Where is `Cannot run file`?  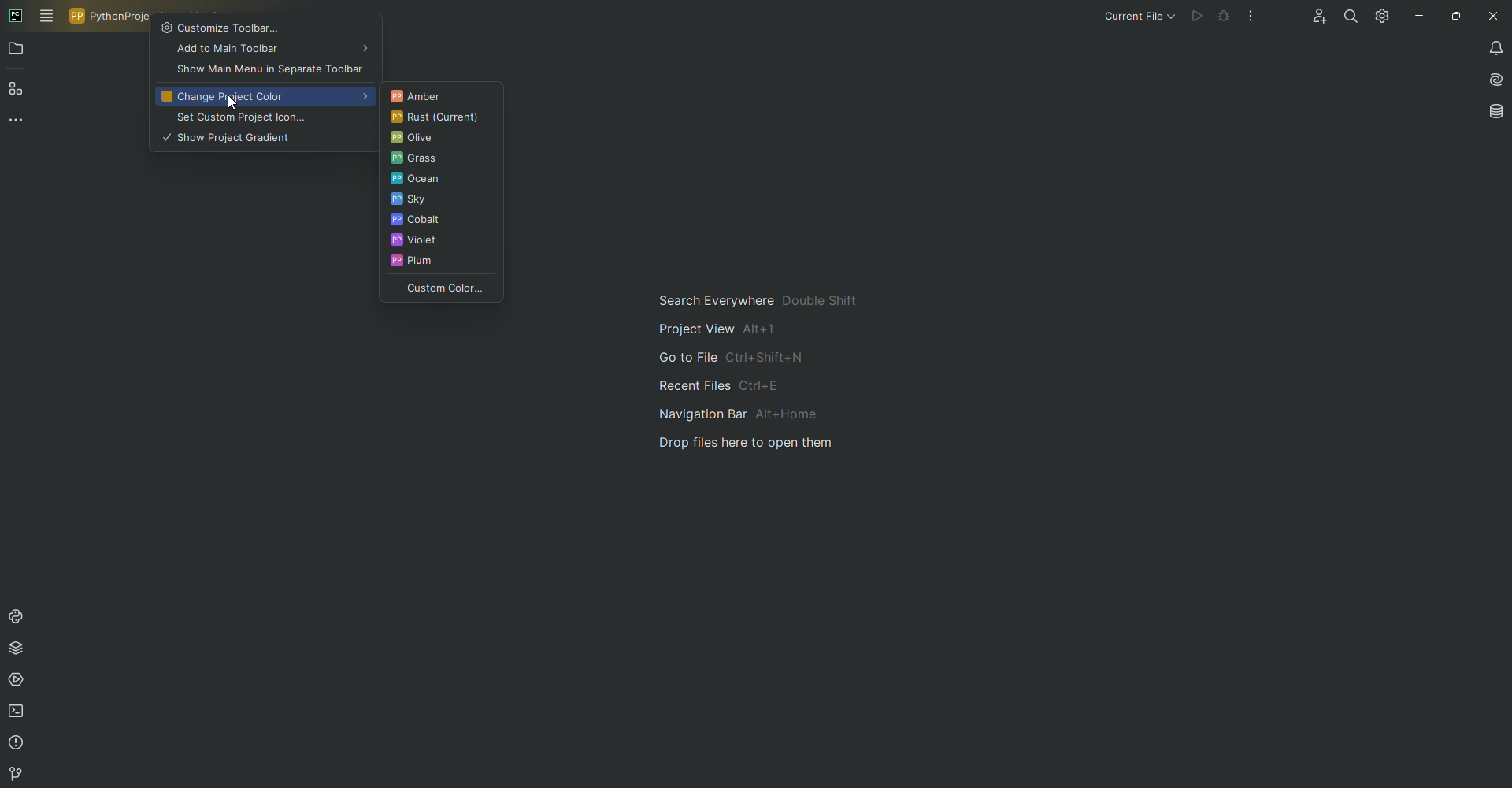 Cannot run file is located at coordinates (1211, 17).